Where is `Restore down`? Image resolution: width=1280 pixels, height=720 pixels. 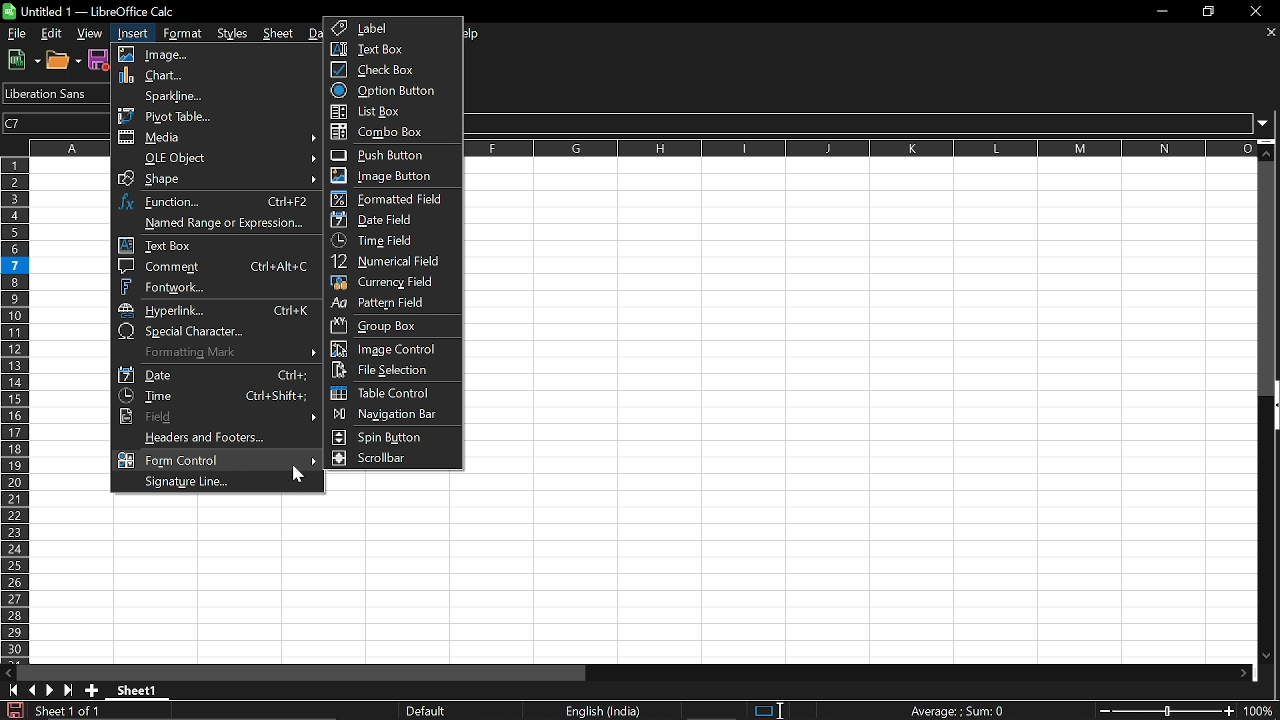
Restore down is located at coordinates (1208, 13).